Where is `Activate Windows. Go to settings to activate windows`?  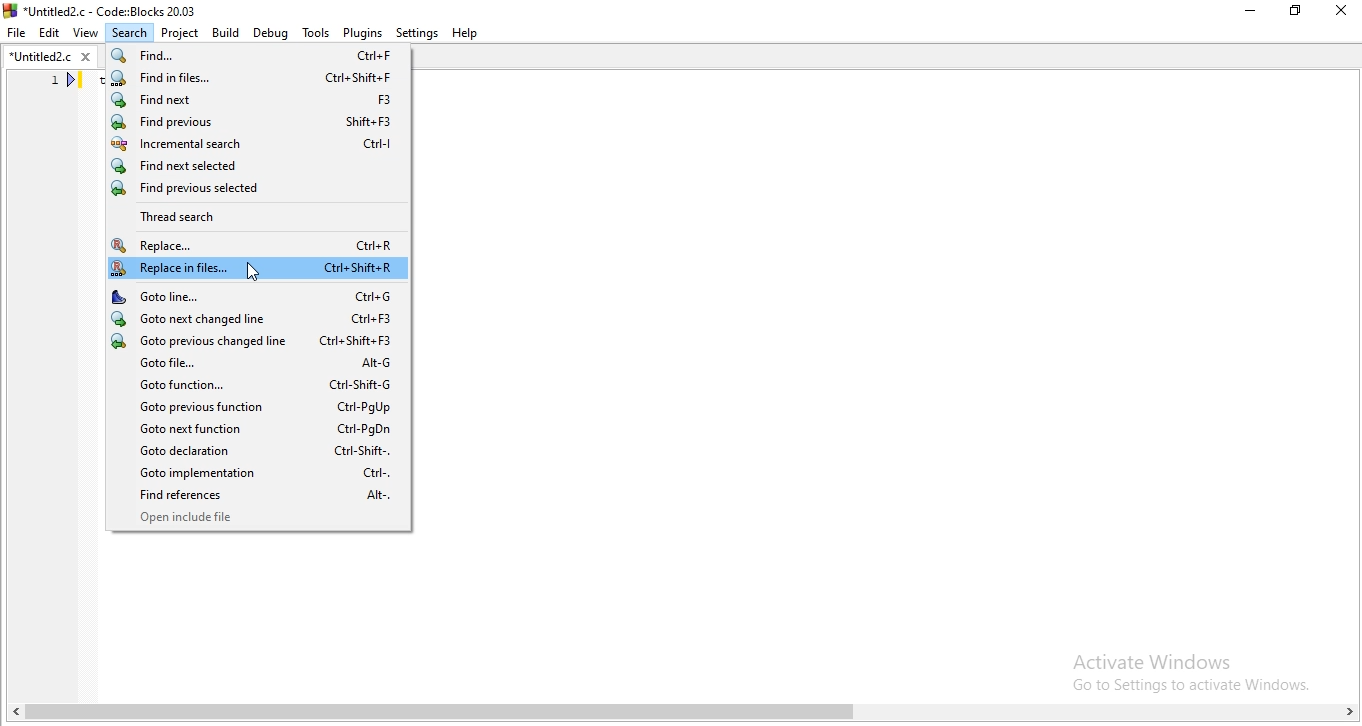
Activate Windows. Go to settings to activate windows is located at coordinates (1178, 669).